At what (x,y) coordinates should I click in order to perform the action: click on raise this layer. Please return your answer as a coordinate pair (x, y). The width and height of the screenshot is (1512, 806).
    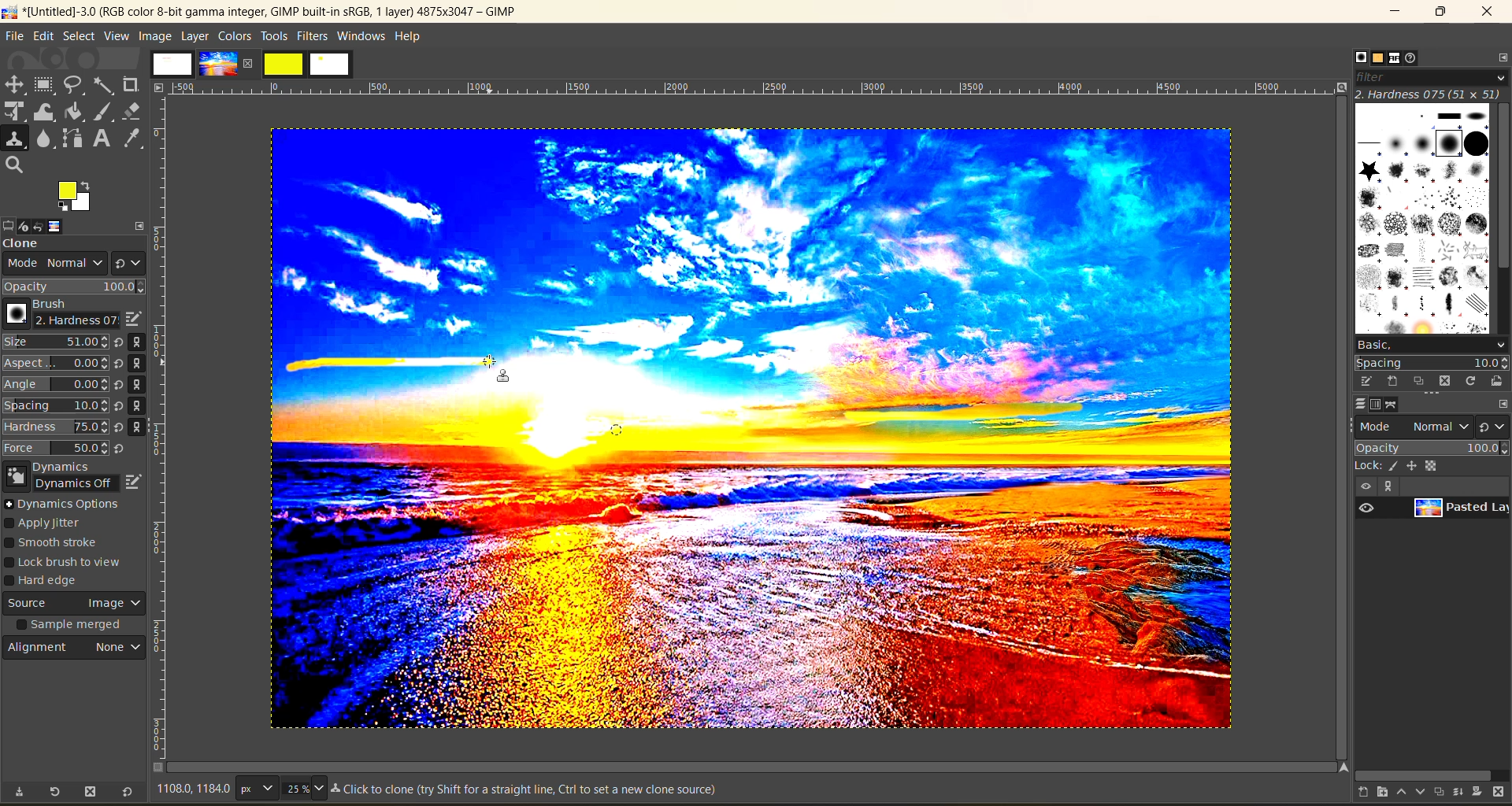
    Looking at the image, I should click on (1395, 793).